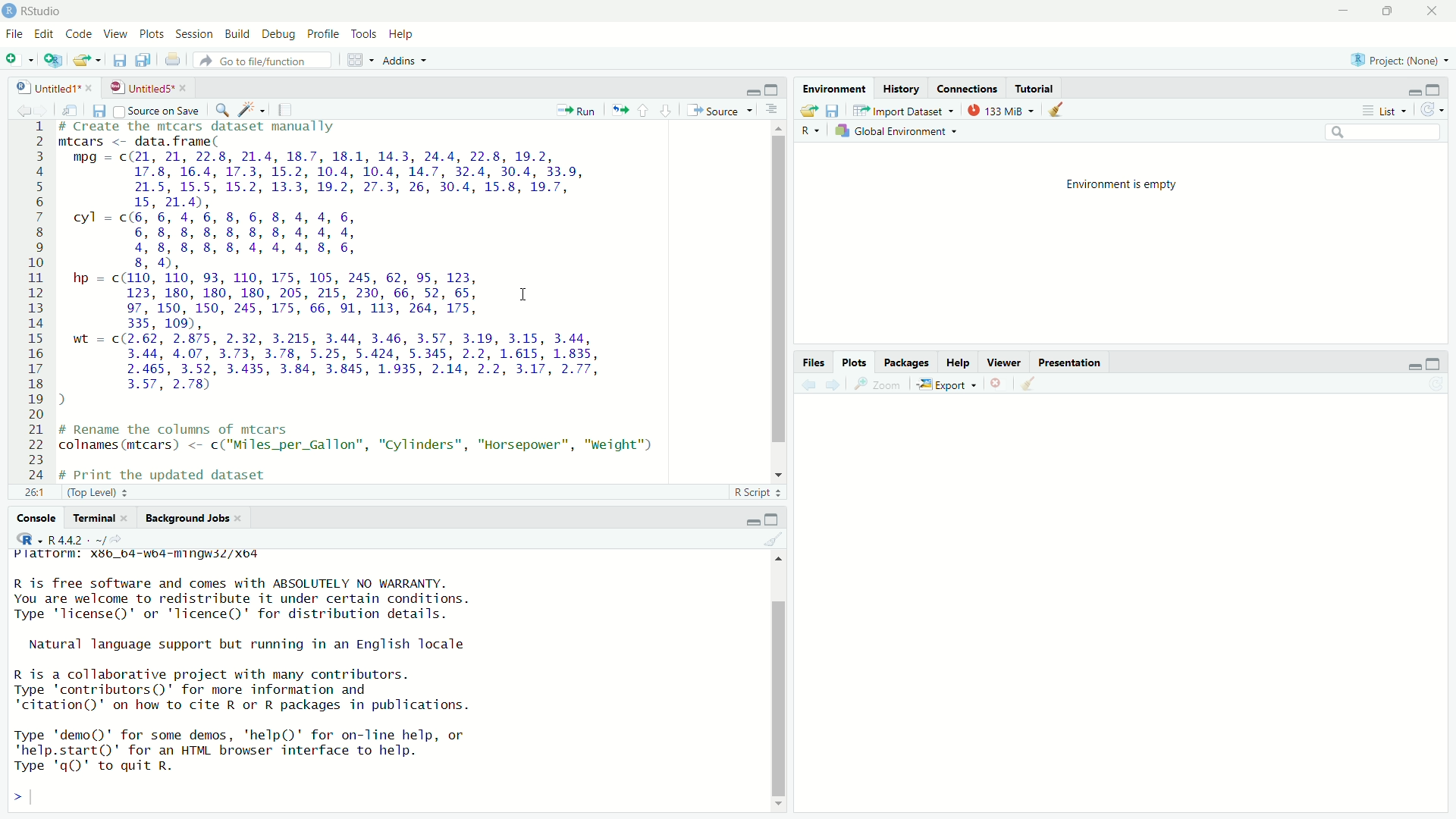  What do you see at coordinates (326, 35) in the screenshot?
I see `Profile` at bounding box center [326, 35].